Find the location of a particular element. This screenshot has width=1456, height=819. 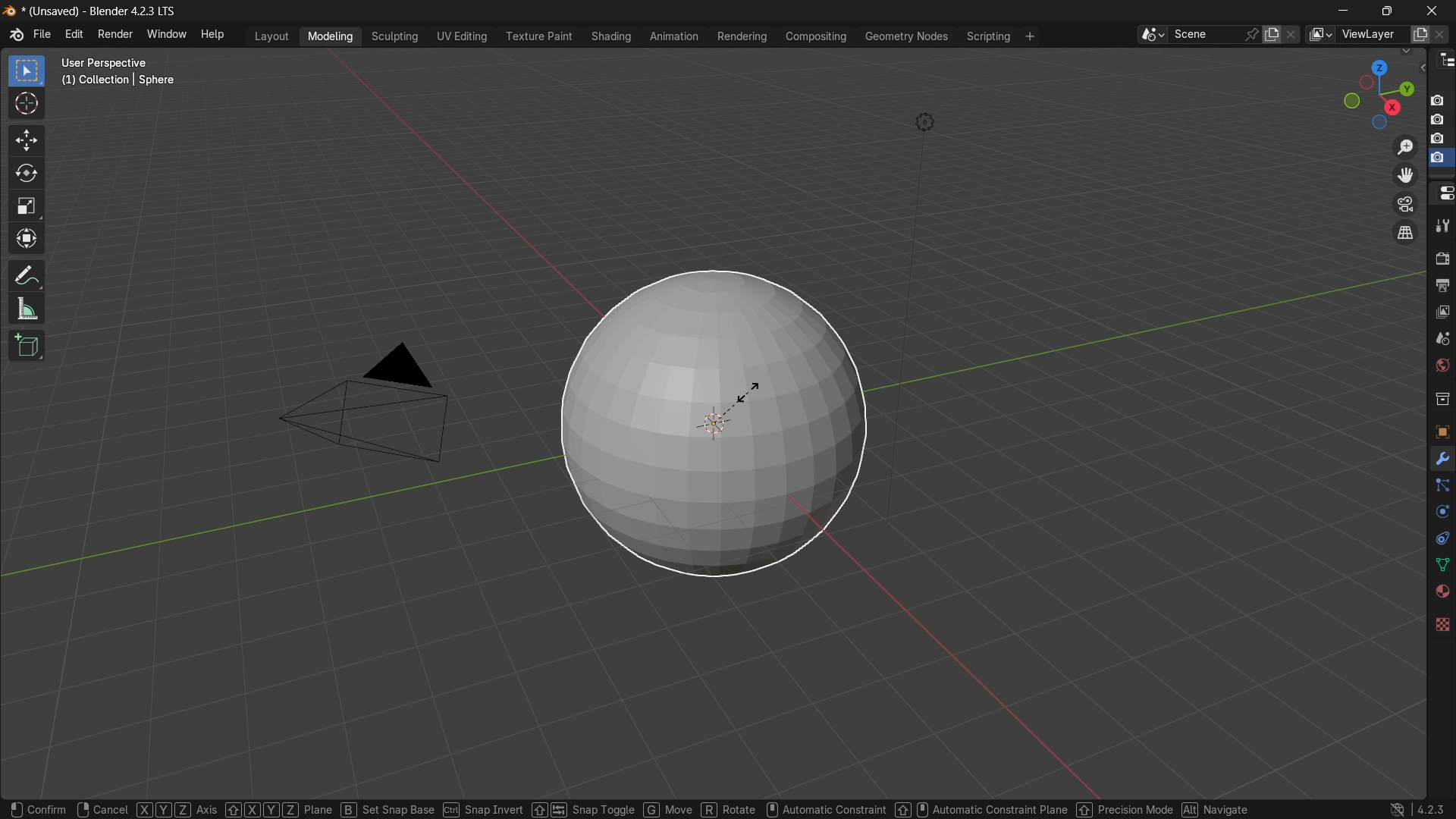

selected capture is located at coordinates (1439, 162).